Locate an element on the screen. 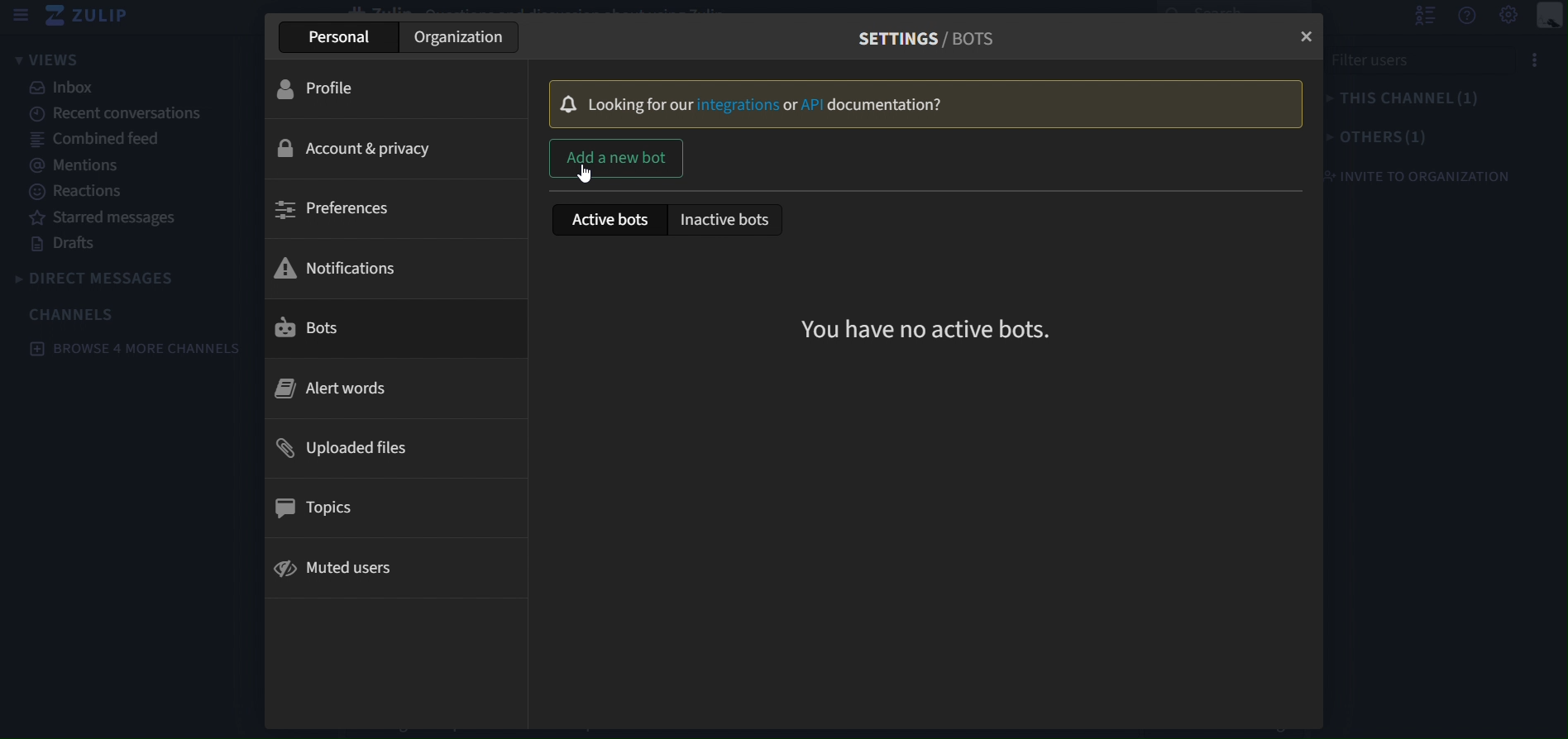 The image size is (1568, 739). document? is located at coordinates (887, 106).